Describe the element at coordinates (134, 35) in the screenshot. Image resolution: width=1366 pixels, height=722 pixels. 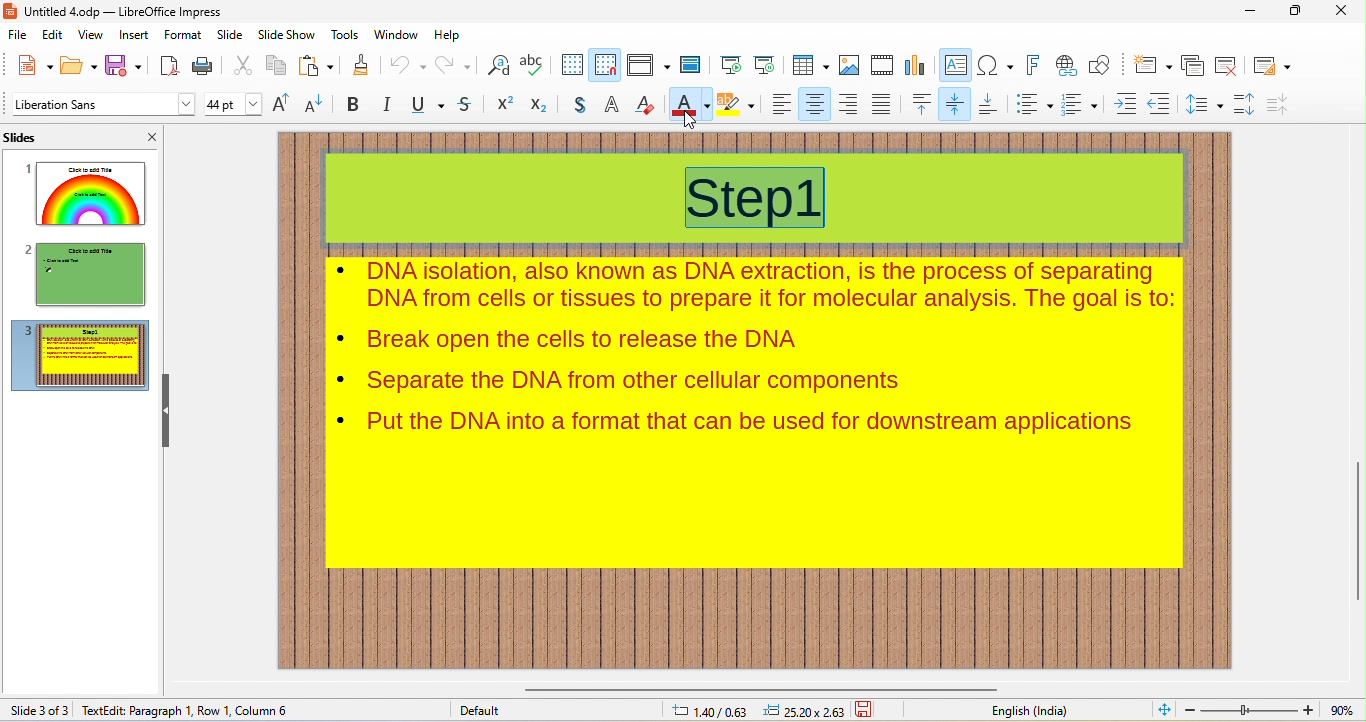
I see `insert` at that location.